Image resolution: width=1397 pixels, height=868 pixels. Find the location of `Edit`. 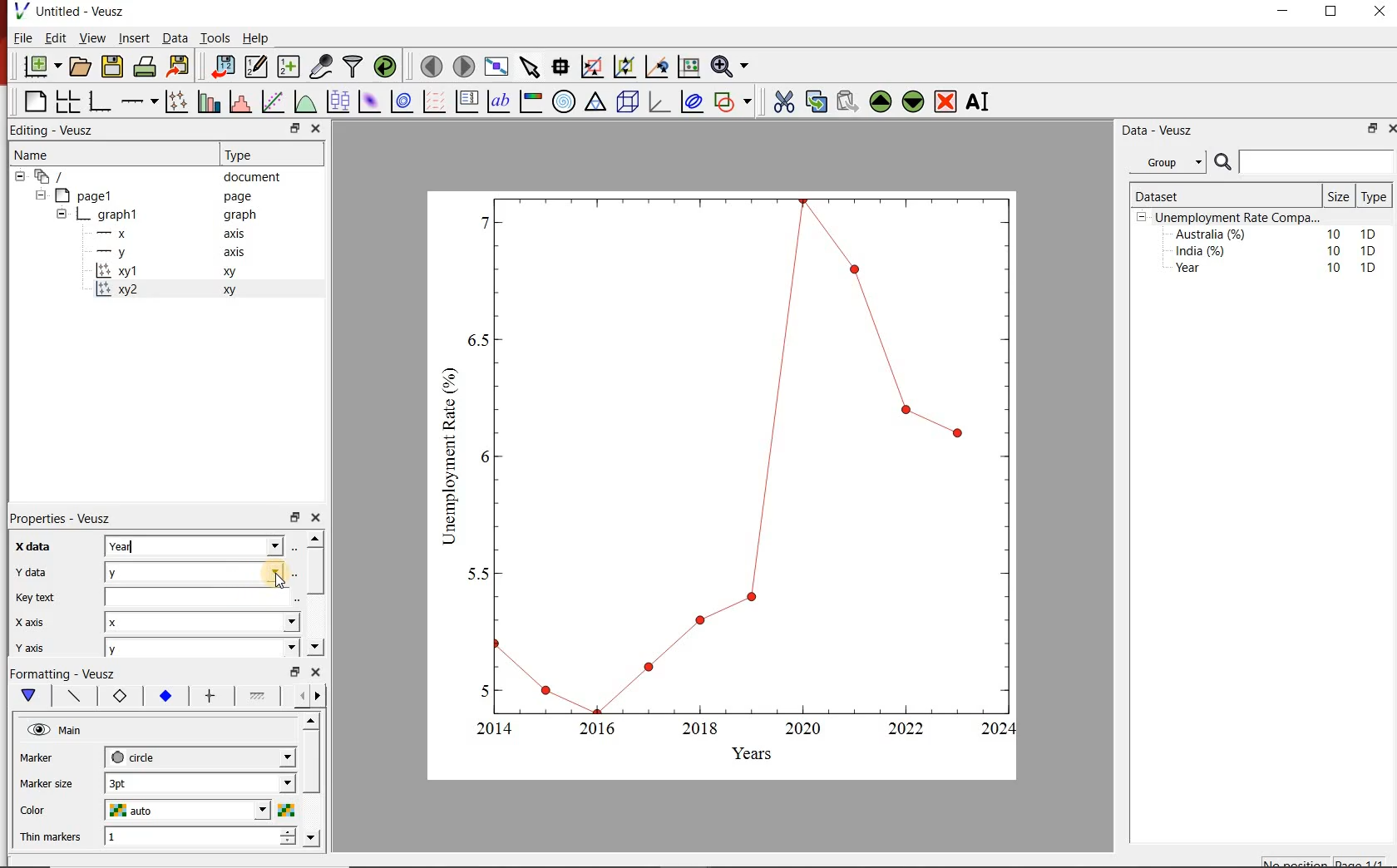

Edit is located at coordinates (53, 37).